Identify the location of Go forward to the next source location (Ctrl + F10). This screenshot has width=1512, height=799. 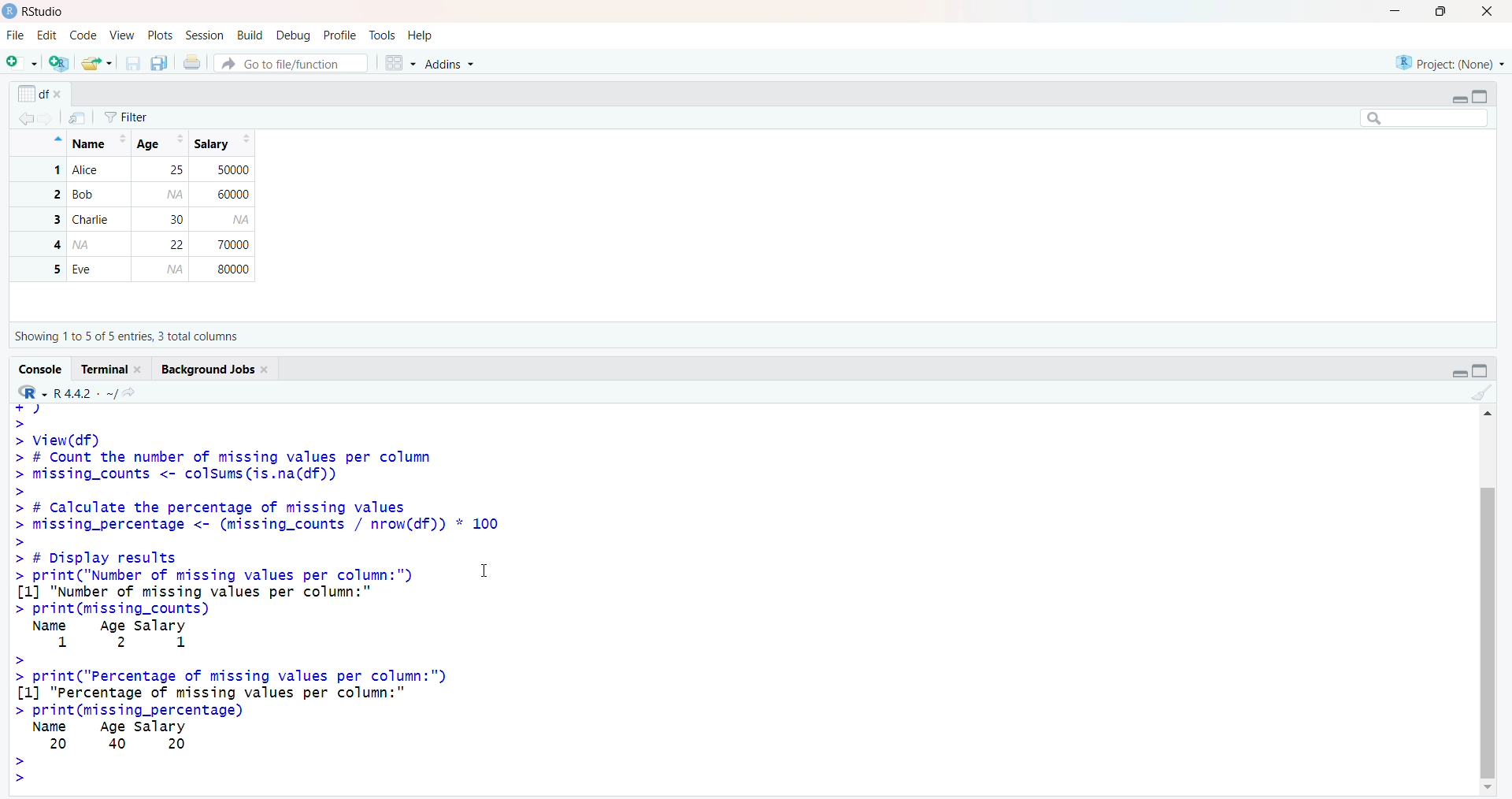
(51, 121).